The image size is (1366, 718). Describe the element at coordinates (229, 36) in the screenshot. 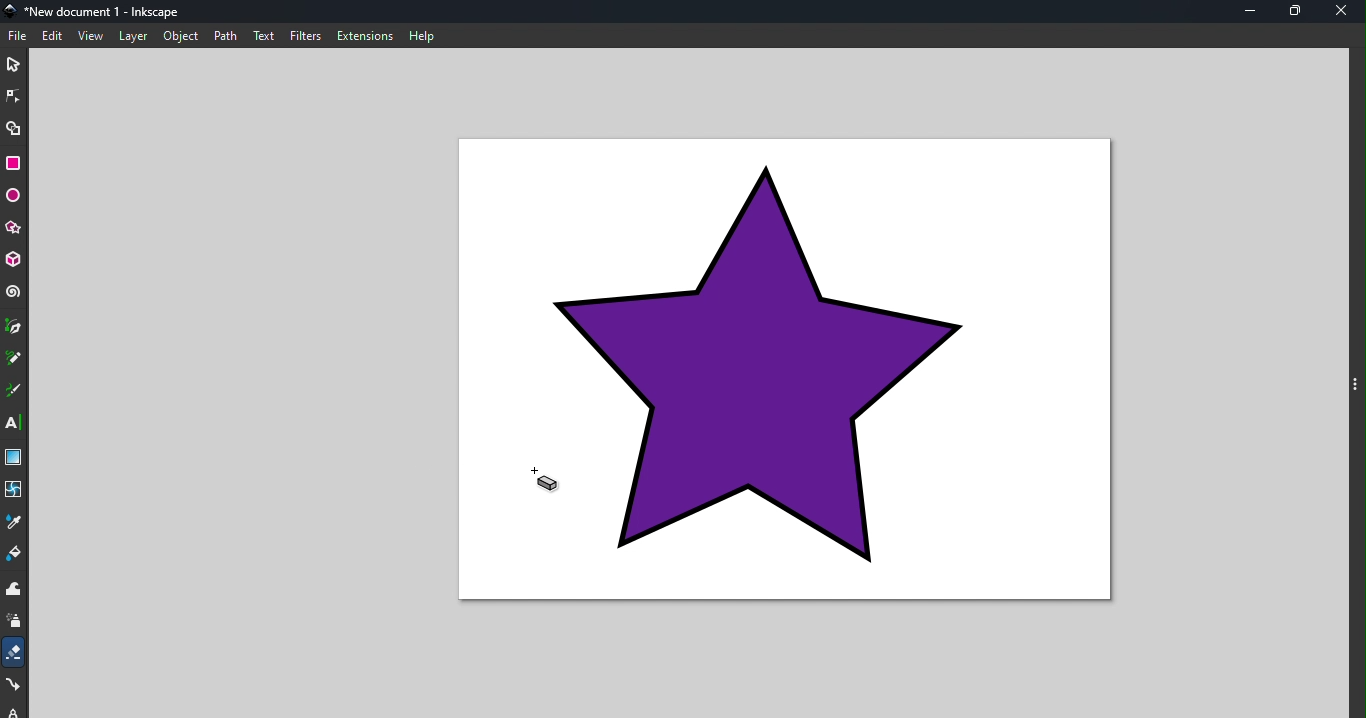

I see `path` at that location.